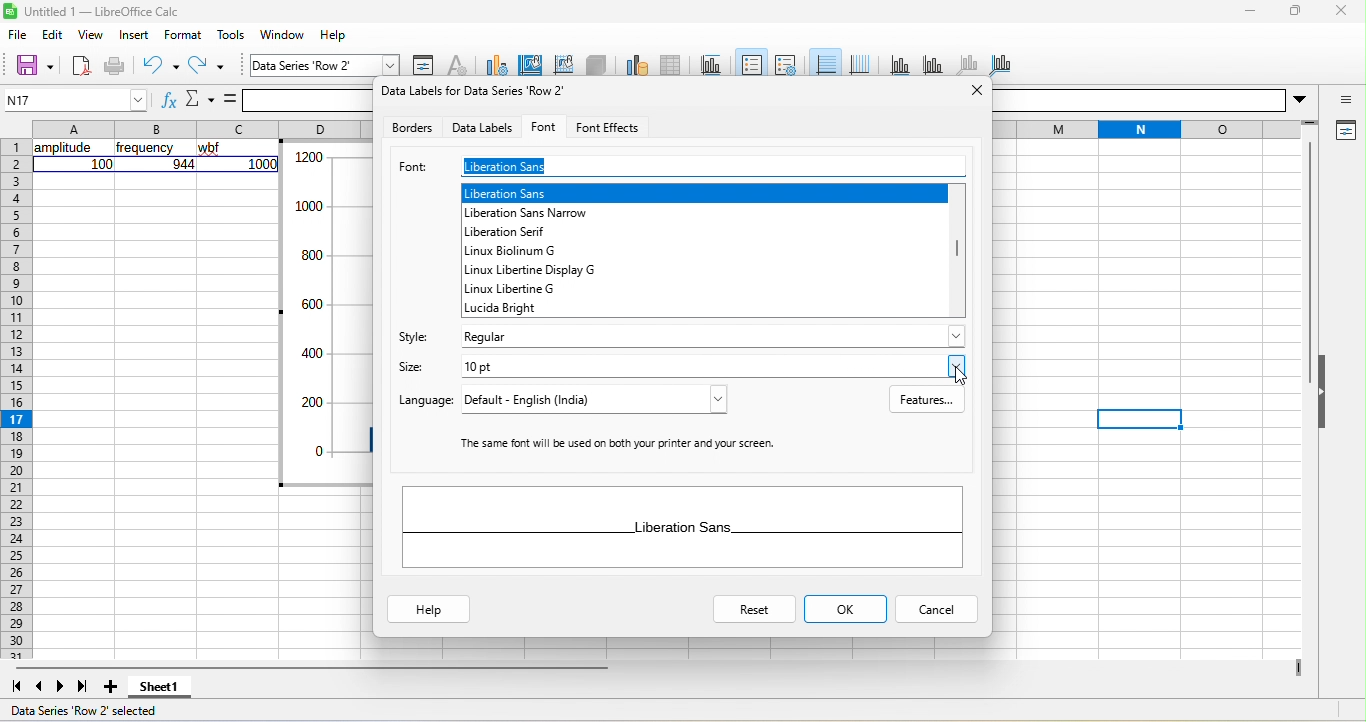 The width and height of the screenshot is (1366, 722). I want to click on maximize, so click(1291, 12).